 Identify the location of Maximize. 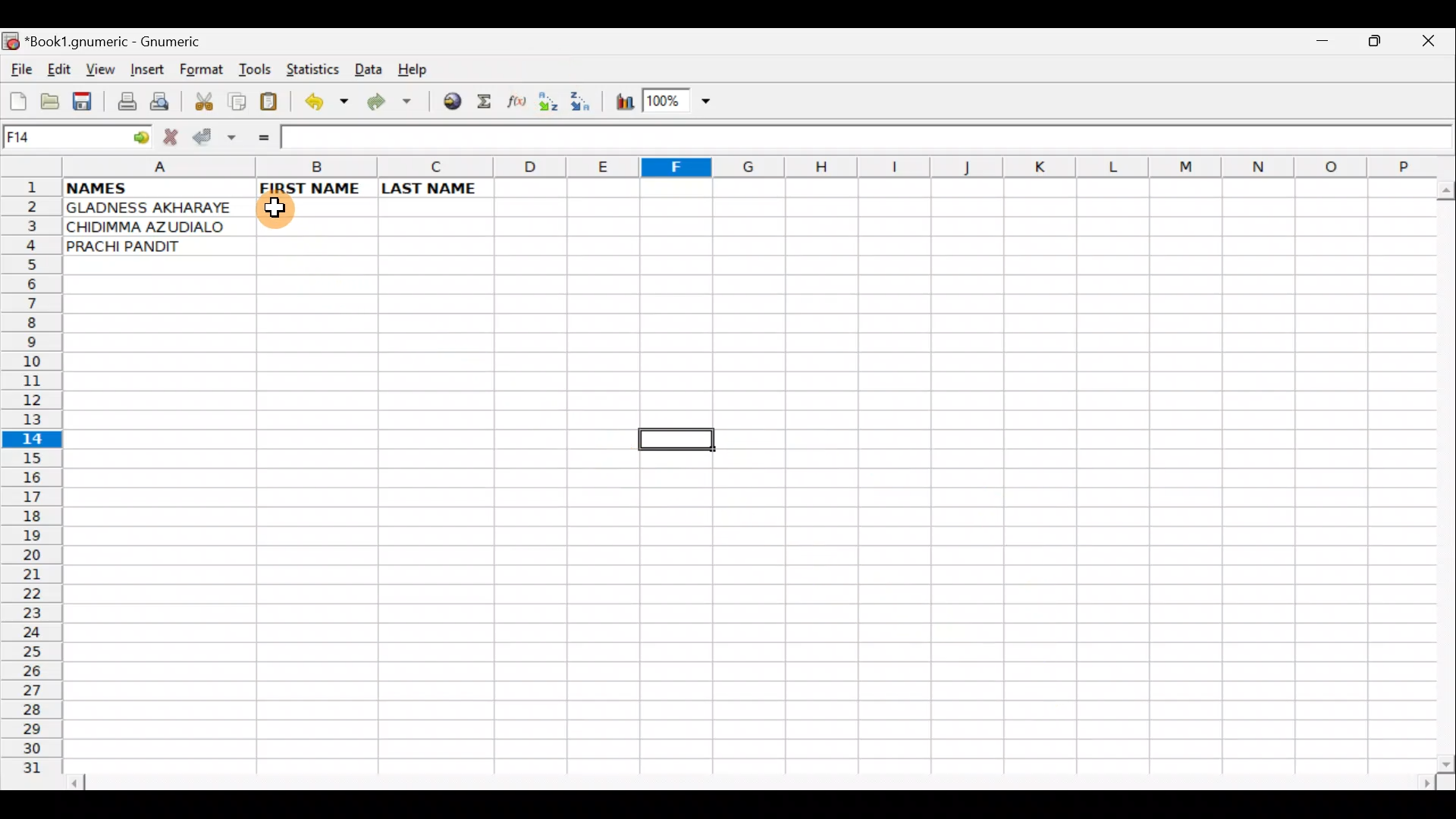
(1377, 44).